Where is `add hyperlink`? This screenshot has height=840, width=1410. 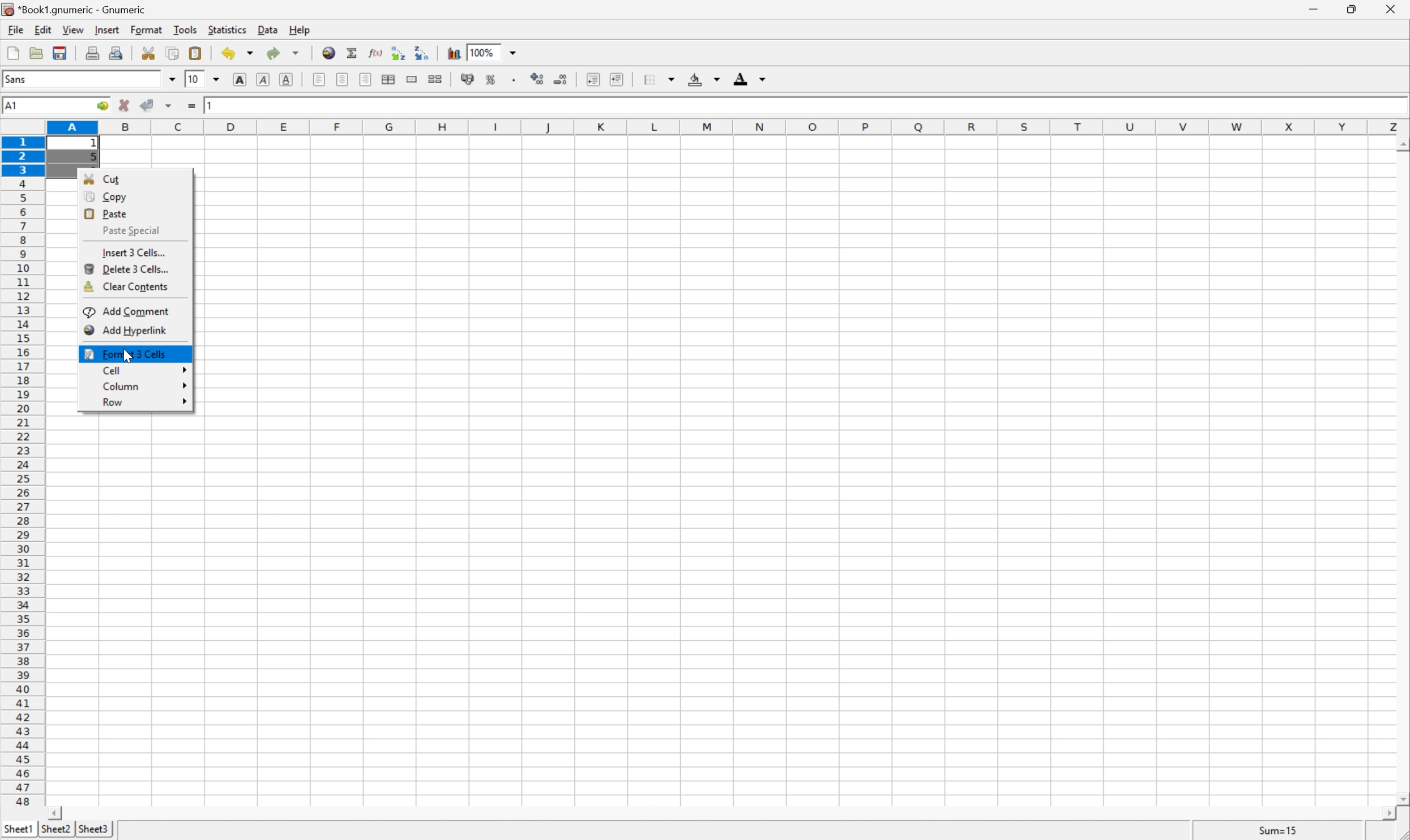
add hyperlink is located at coordinates (126, 329).